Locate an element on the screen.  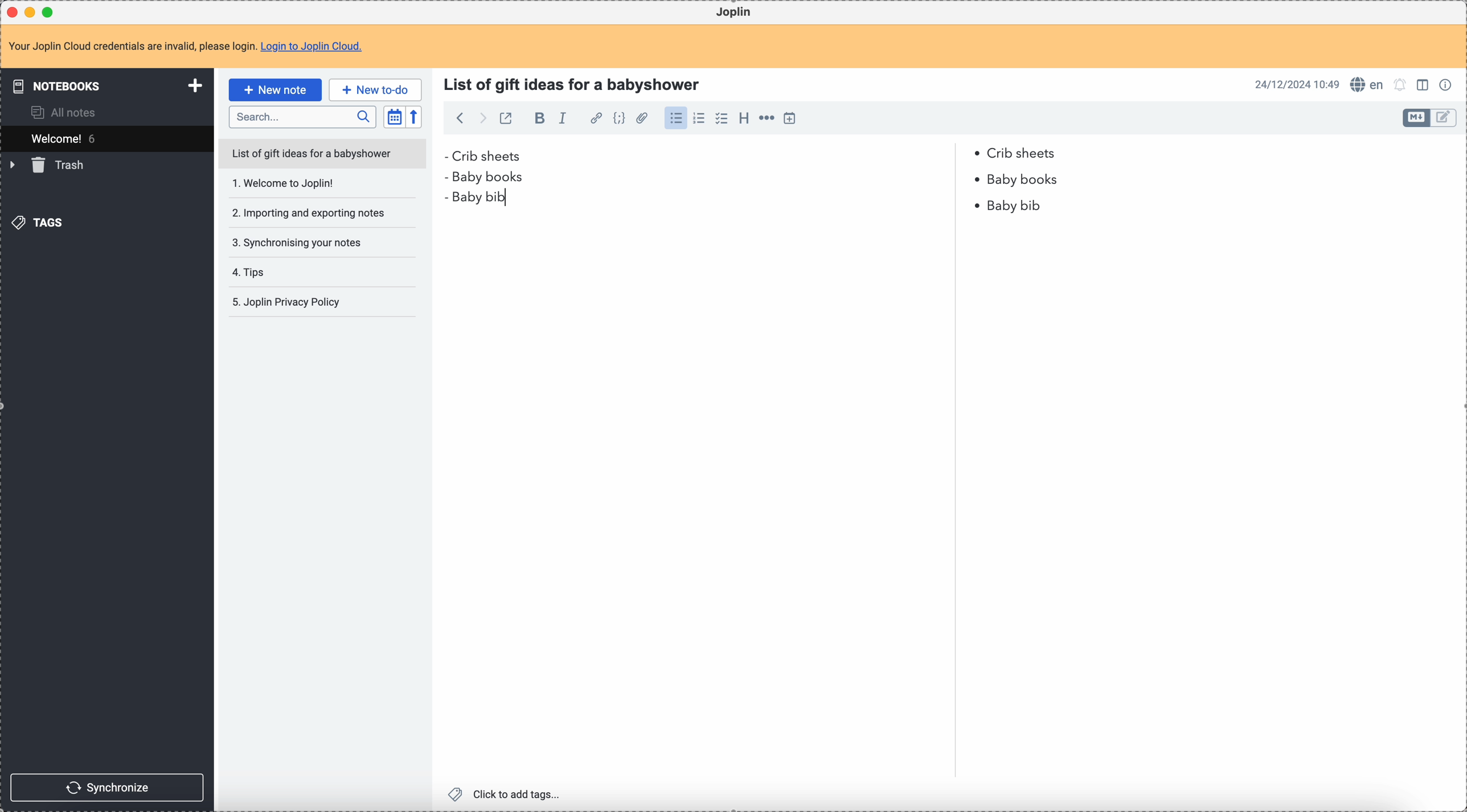
bold is located at coordinates (539, 120).